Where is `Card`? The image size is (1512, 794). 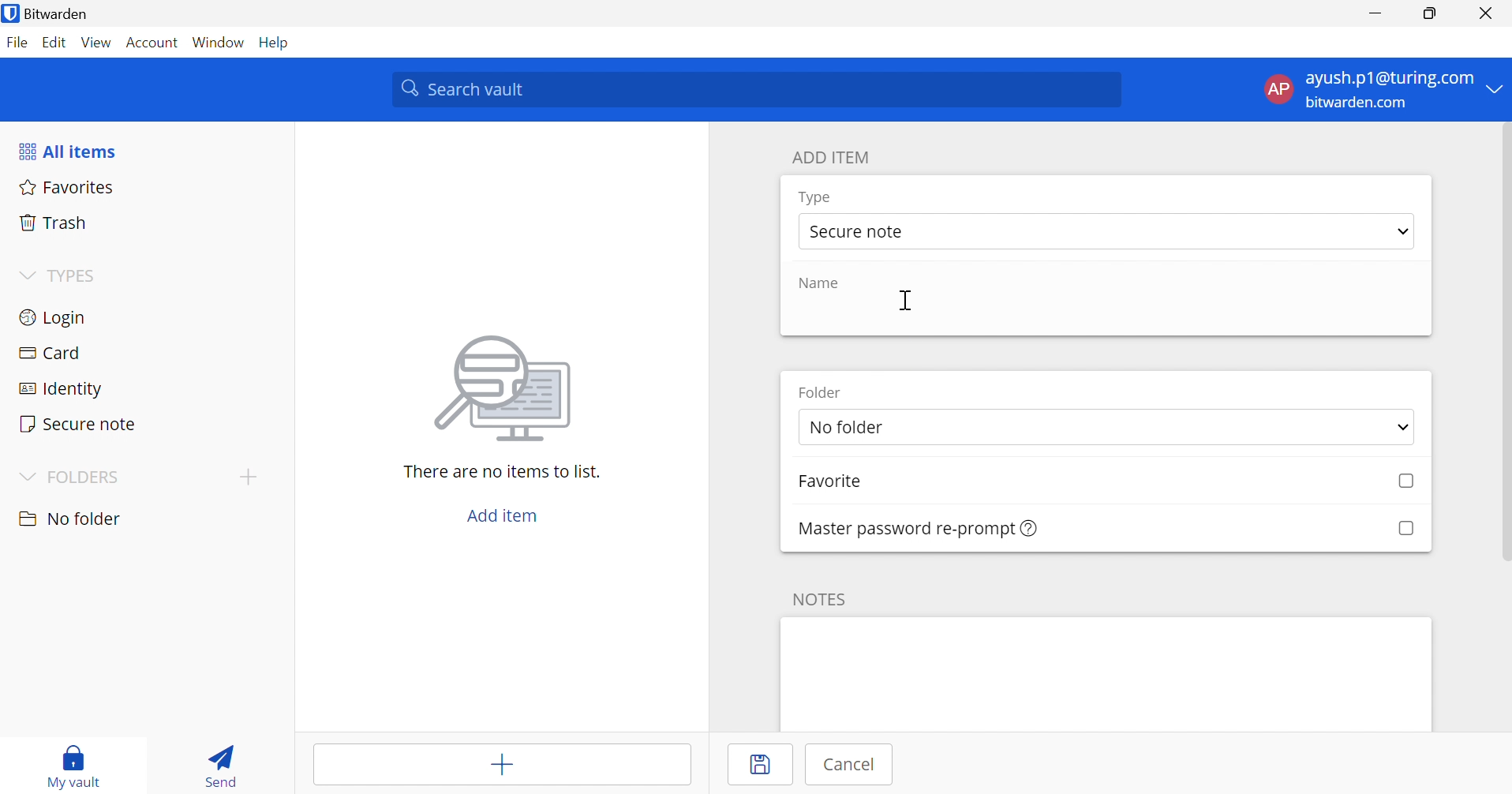
Card is located at coordinates (54, 353).